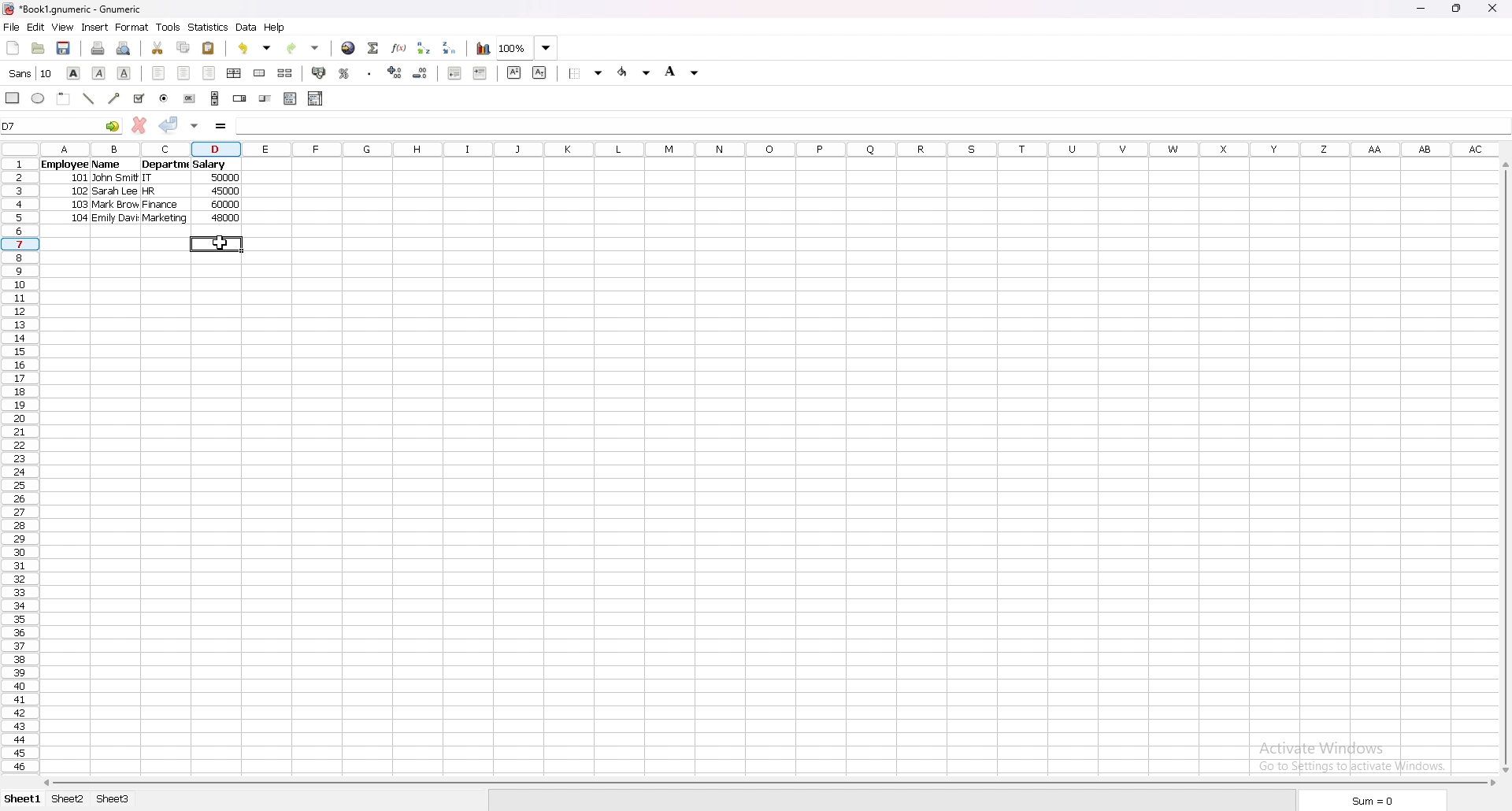 This screenshot has height=811, width=1512. What do you see at coordinates (39, 48) in the screenshot?
I see `open` at bounding box center [39, 48].